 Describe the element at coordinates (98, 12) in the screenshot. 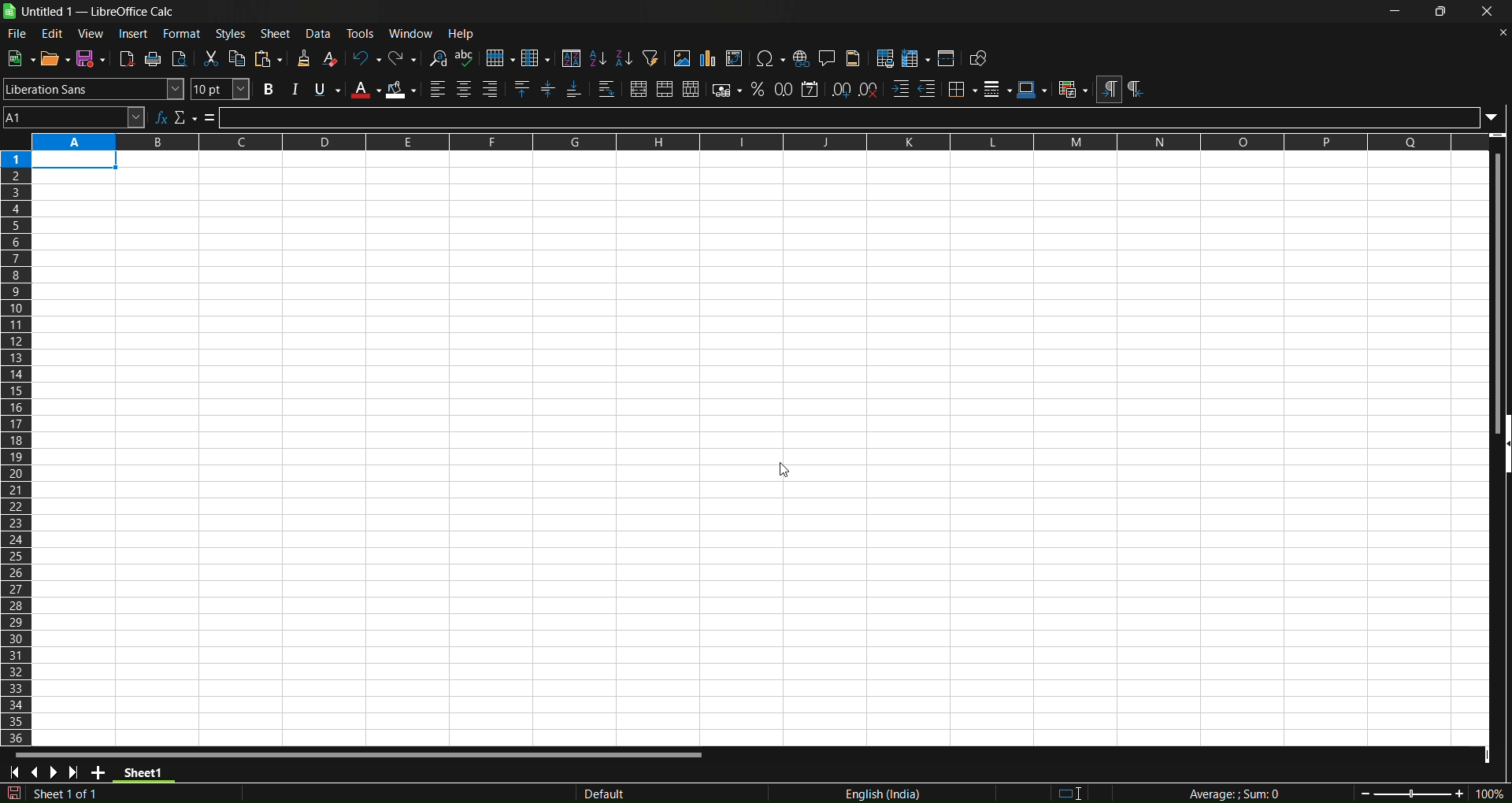

I see `title` at that location.